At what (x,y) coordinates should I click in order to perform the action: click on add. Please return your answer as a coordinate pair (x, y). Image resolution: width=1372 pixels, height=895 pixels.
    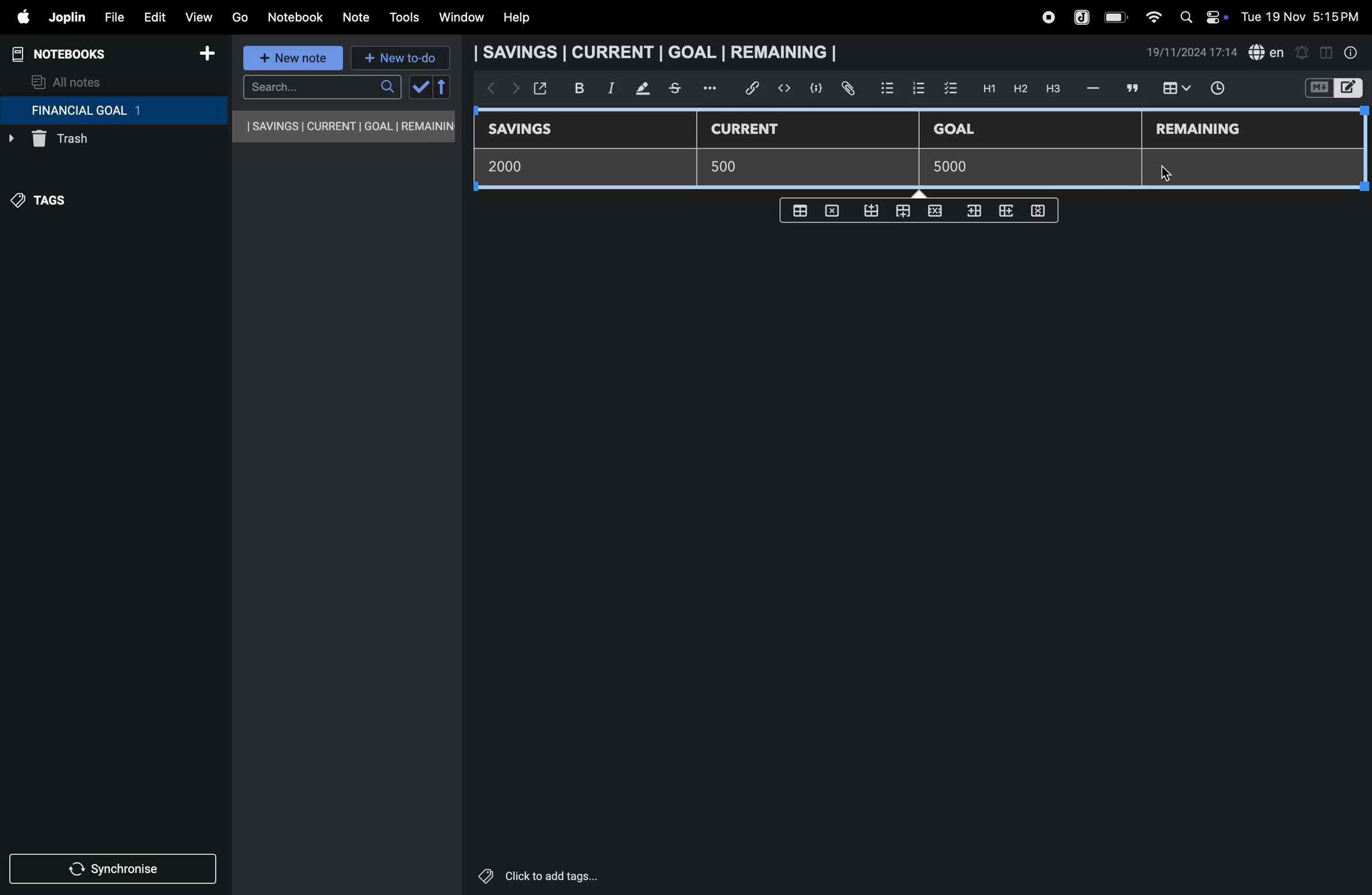
    Looking at the image, I should click on (207, 55).